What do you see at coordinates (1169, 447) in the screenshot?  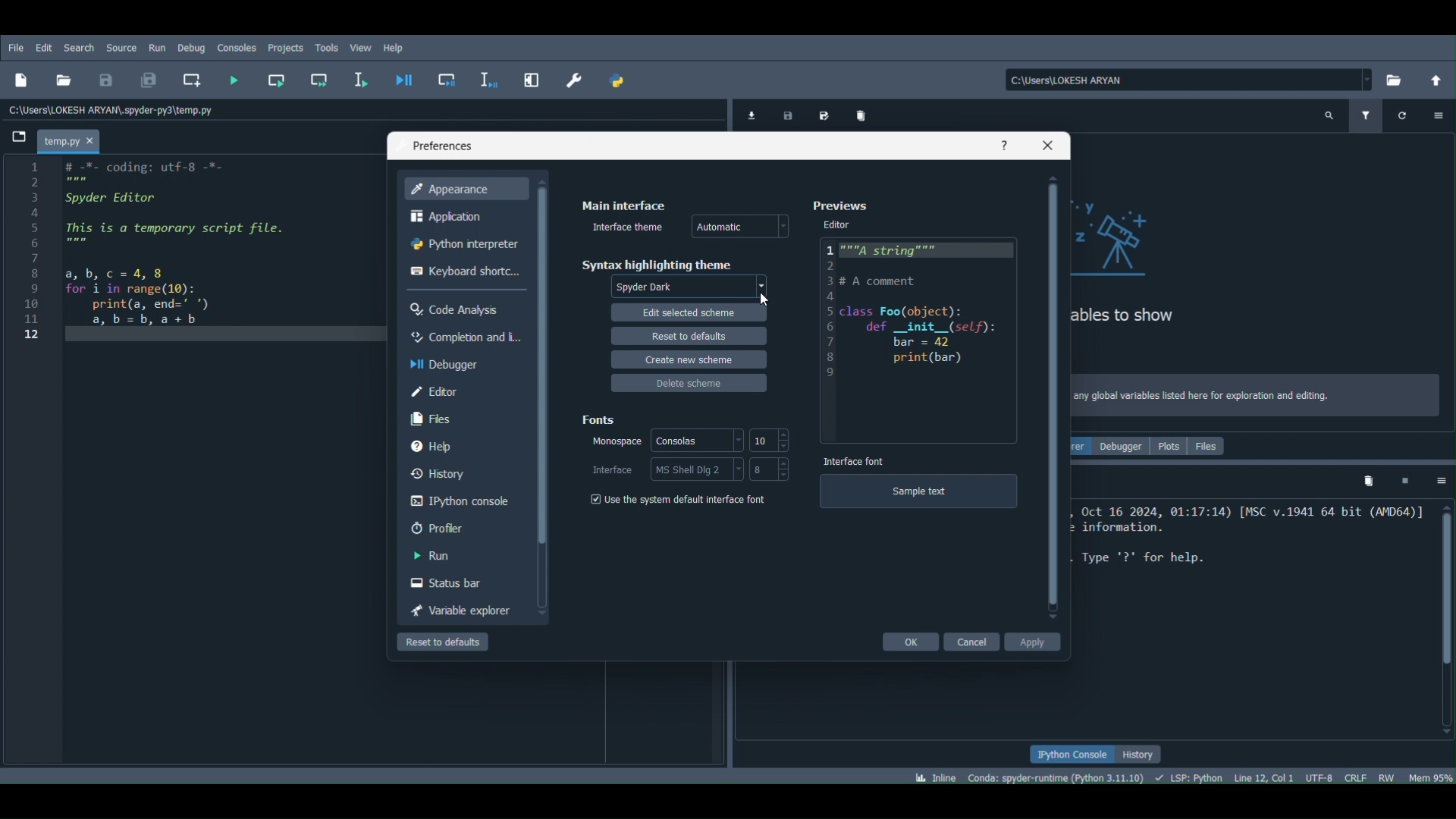 I see `Plots` at bounding box center [1169, 447].